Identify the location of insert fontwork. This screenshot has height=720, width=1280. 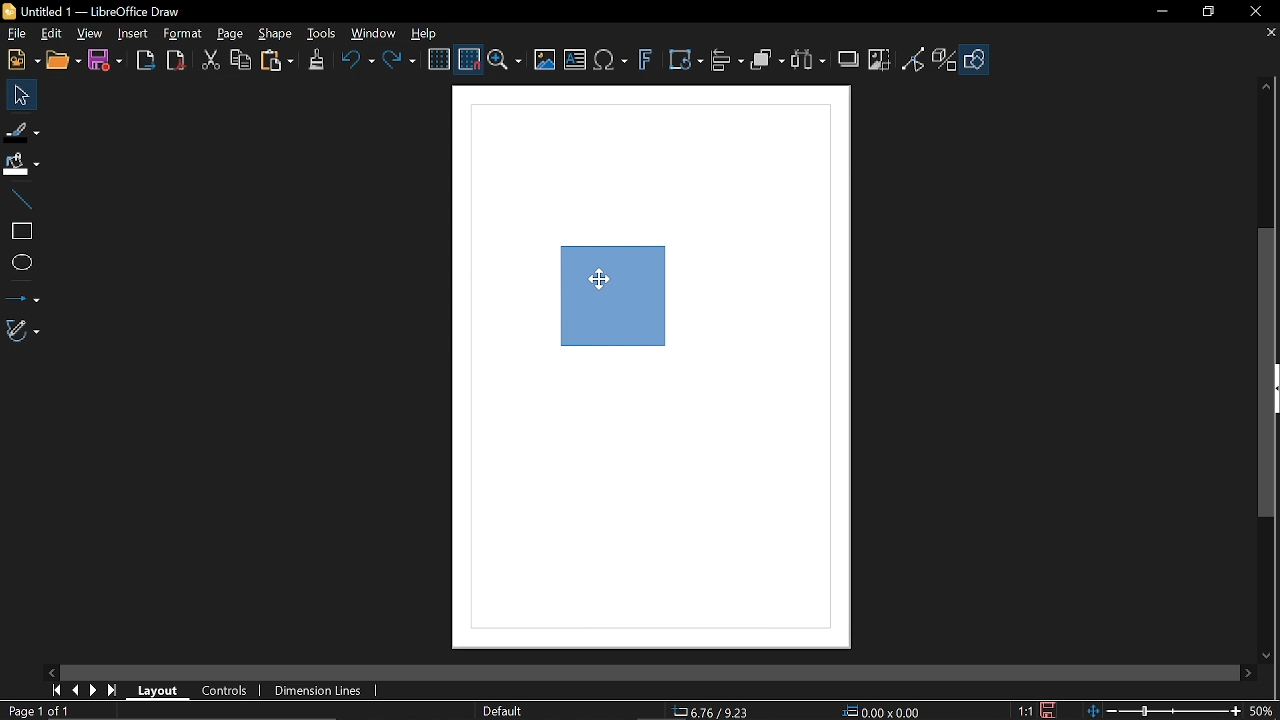
(643, 60).